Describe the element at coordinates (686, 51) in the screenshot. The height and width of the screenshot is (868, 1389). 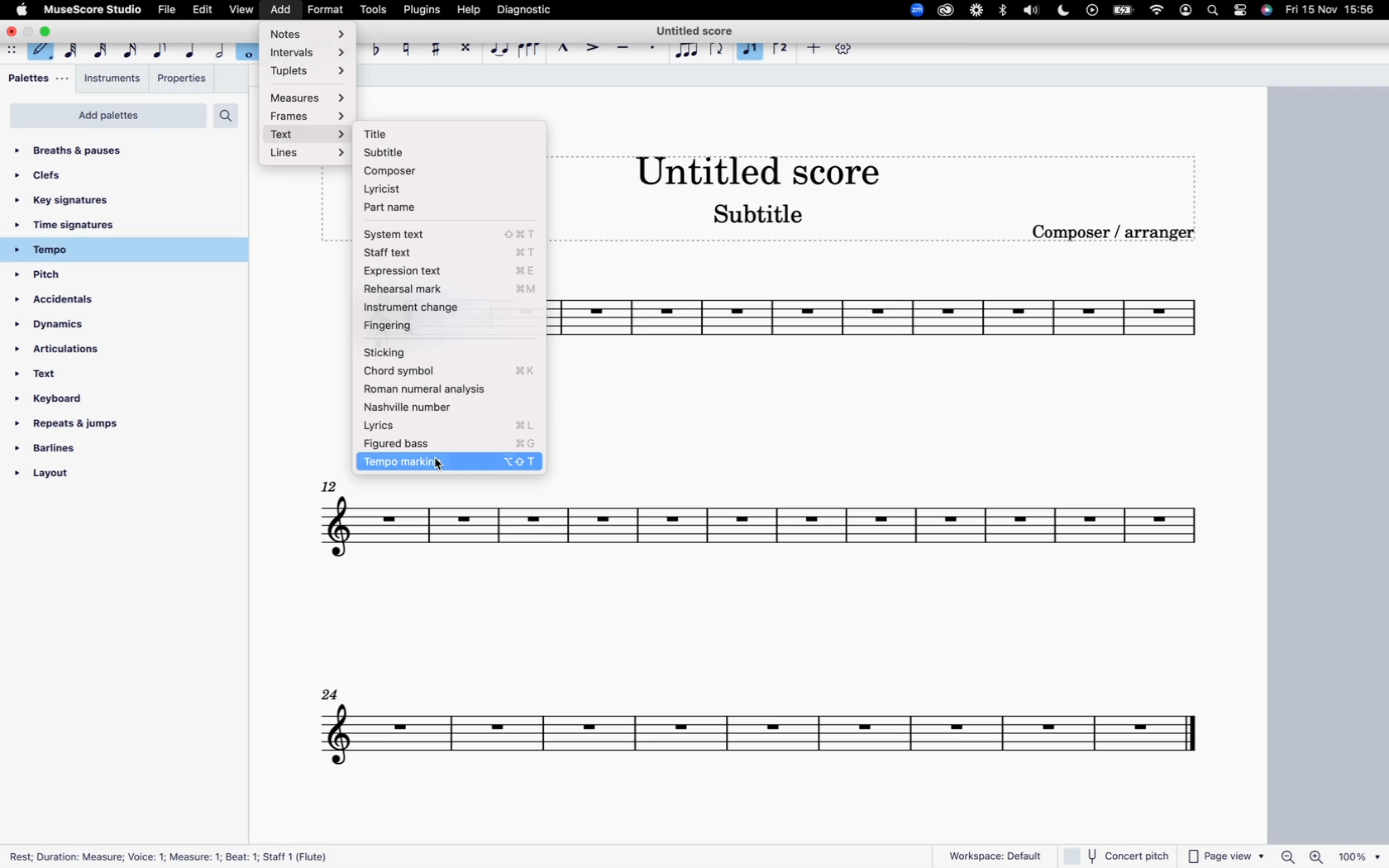
I see `tuplet` at that location.